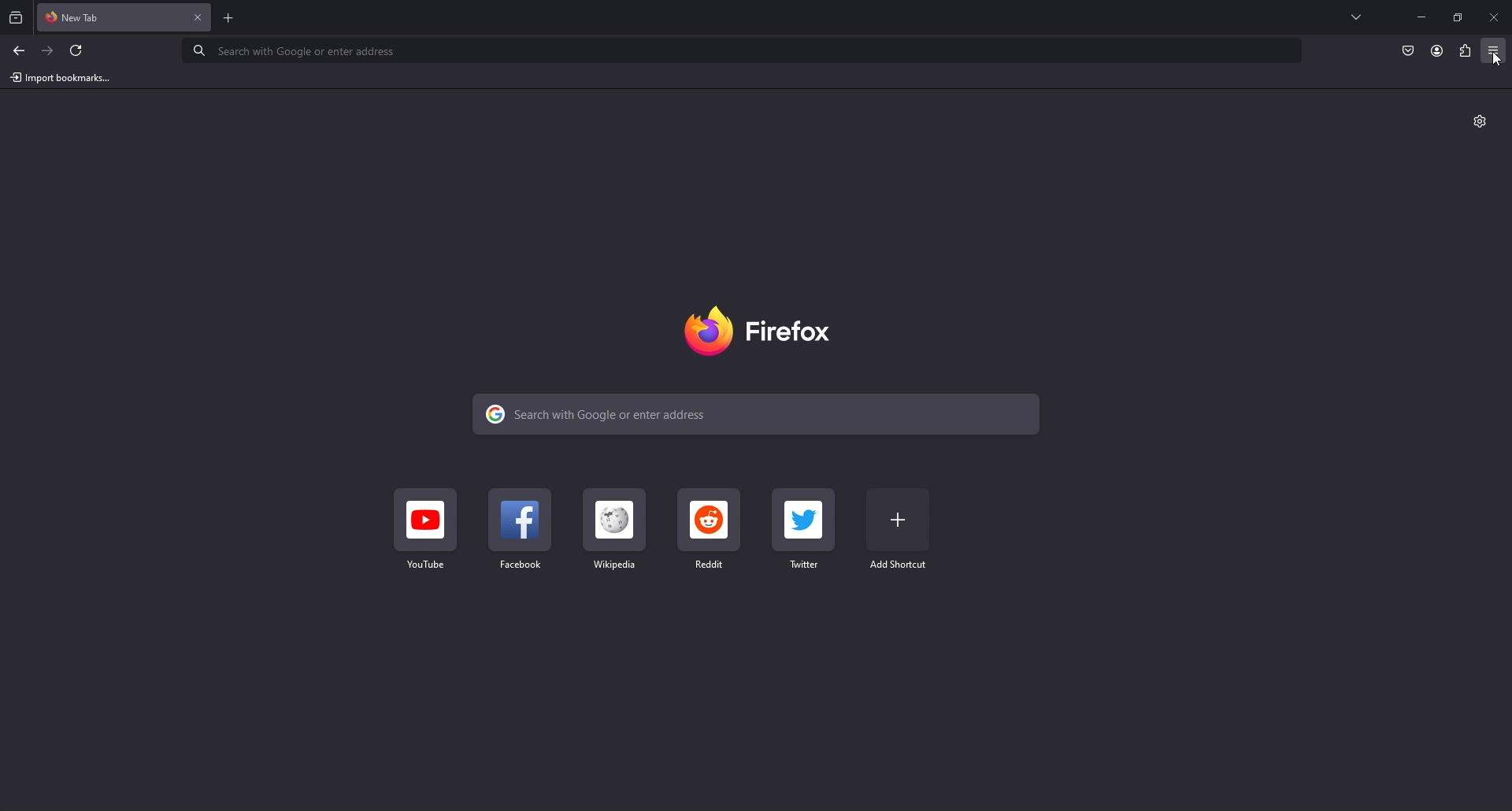 This screenshot has width=1512, height=811. What do you see at coordinates (764, 330) in the screenshot?
I see `firefox logo` at bounding box center [764, 330].